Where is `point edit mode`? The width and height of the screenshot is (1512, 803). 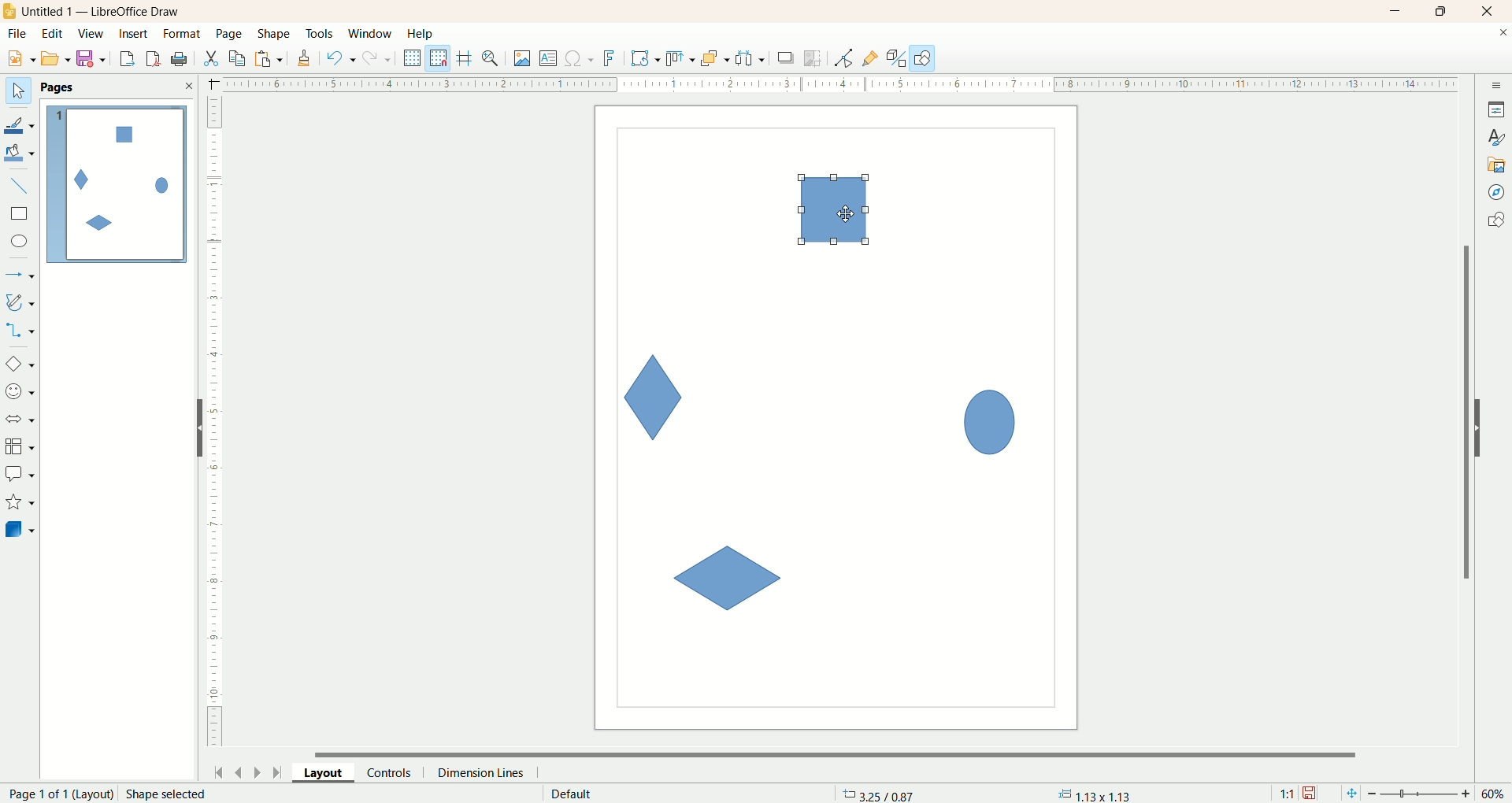 point edit mode is located at coordinates (843, 59).